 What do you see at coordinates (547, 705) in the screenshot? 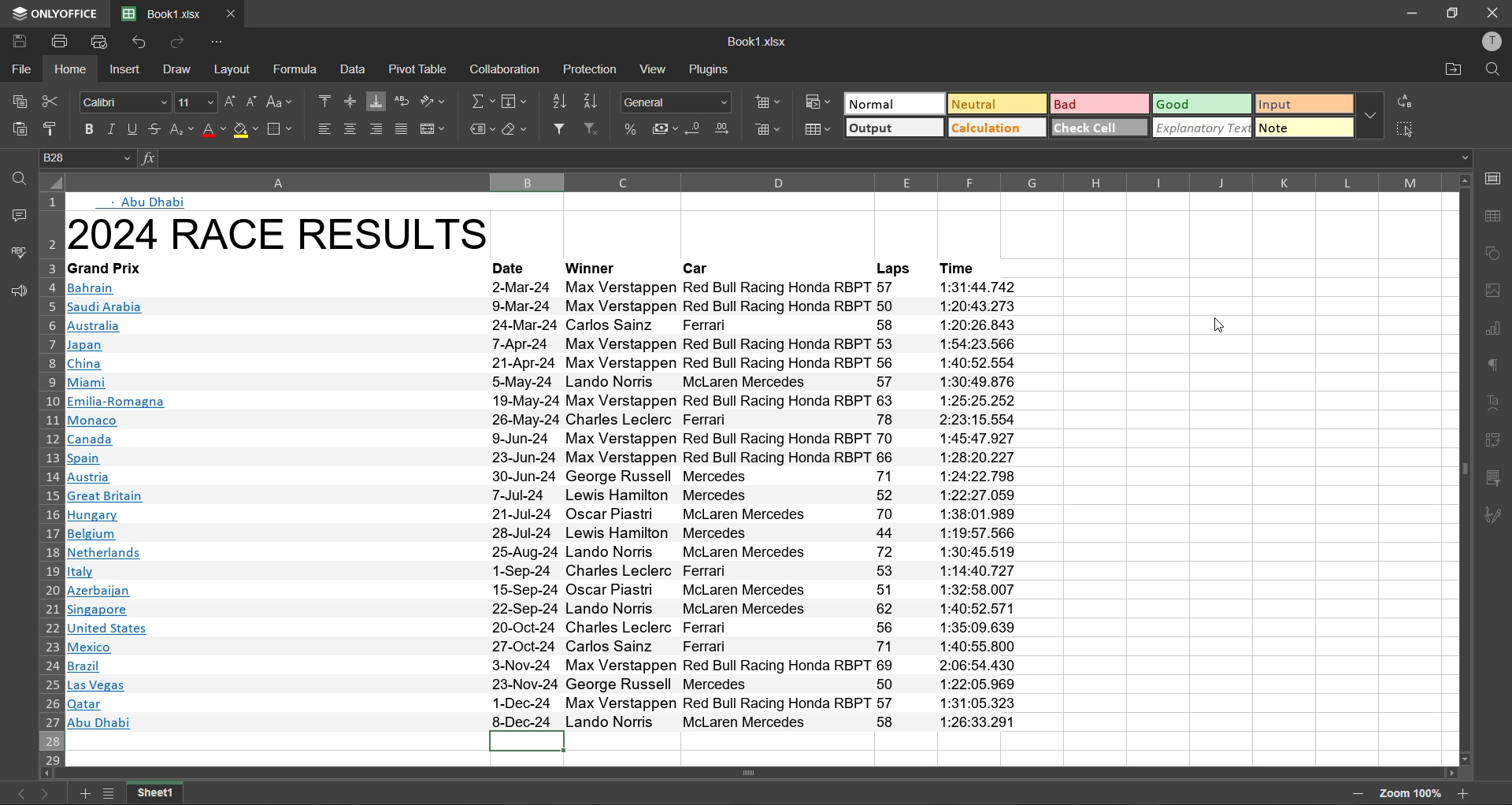
I see `qatar 1-Dec-24 Max Verstappen Red Bull Racing Honda RBPT 57 1:31:05.323` at bounding box center [547, 705].